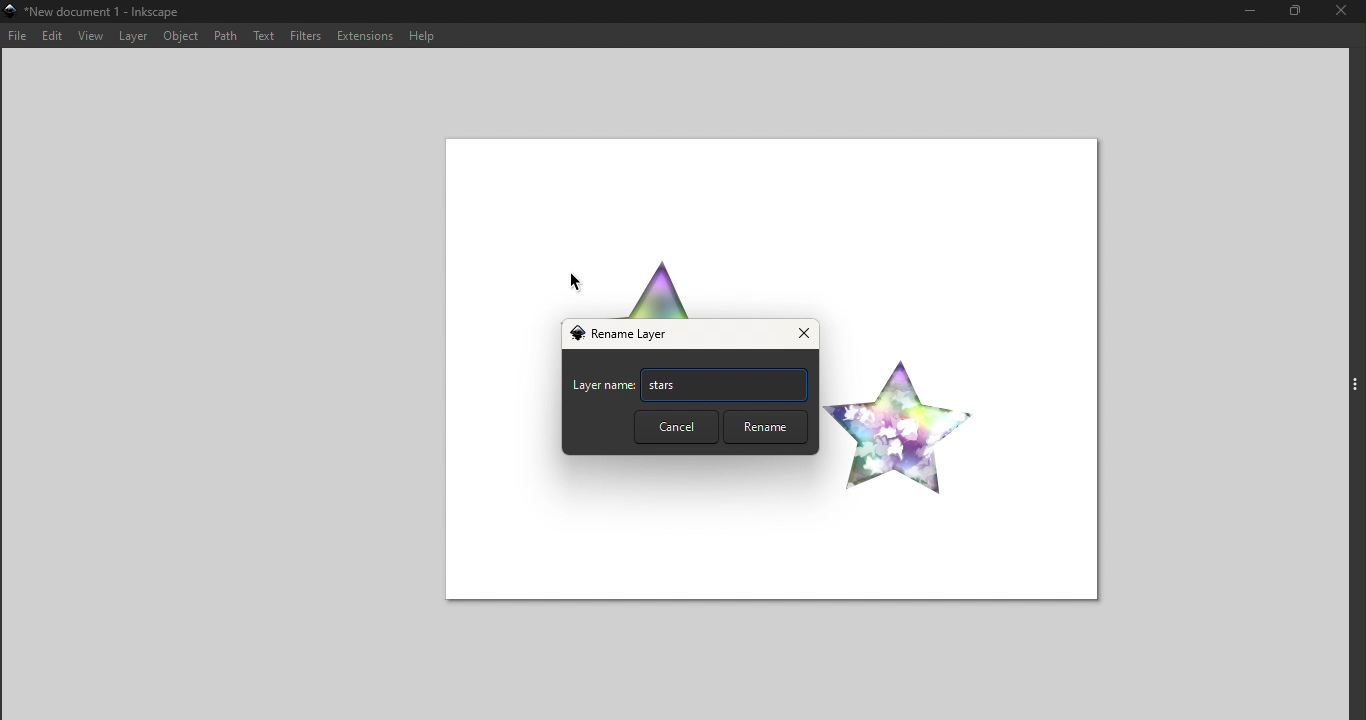 Image resolution: width=1366 pixels, height=720 pixels. What do you see at coordinates (87, 37) in the screenshot?
I see `view` at bounding box center [87, 37].